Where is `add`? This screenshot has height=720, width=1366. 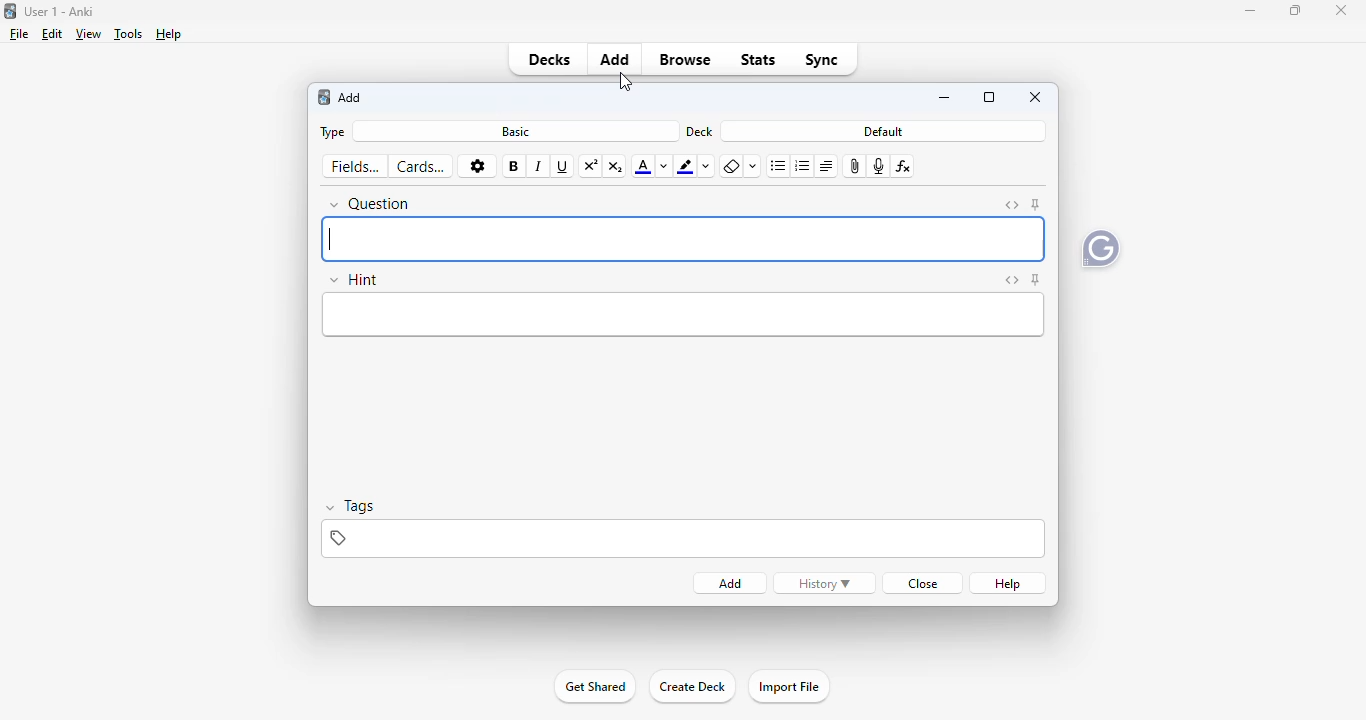 add is located at coordinates (732, 584).